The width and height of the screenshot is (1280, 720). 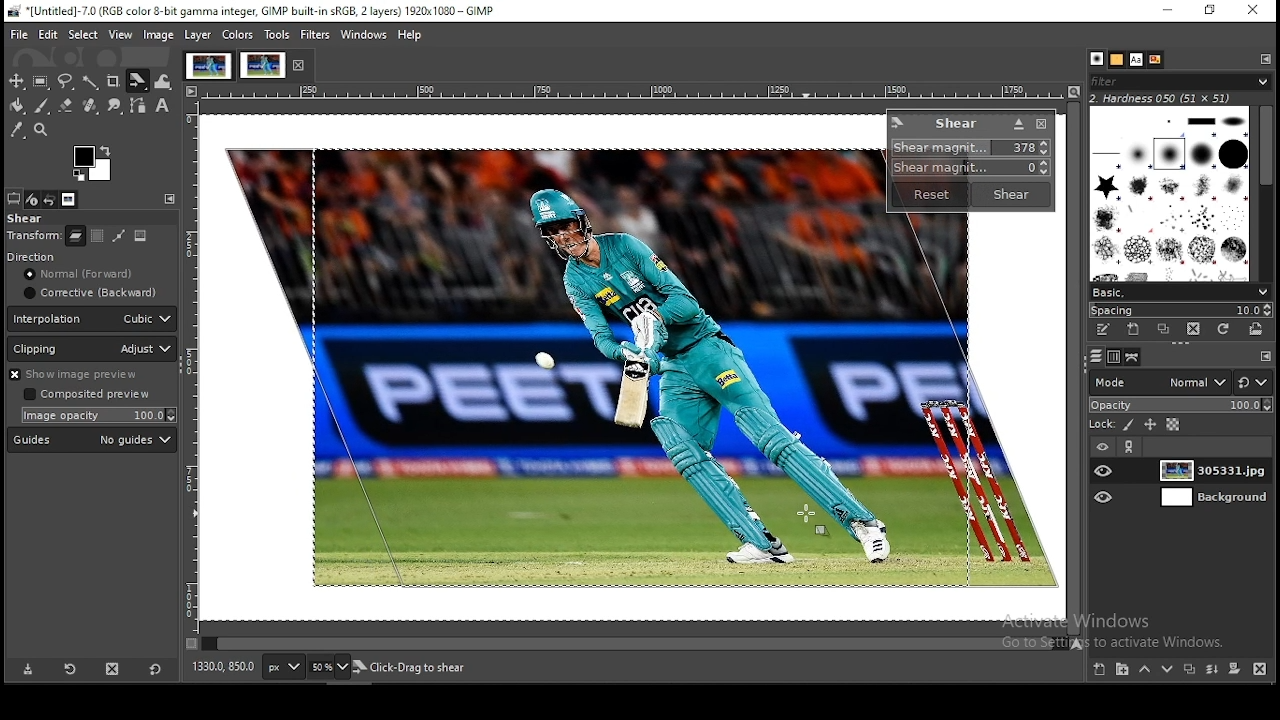 I want to click on 305331.jpg (23.3 mb), so click(x=406, y=668).